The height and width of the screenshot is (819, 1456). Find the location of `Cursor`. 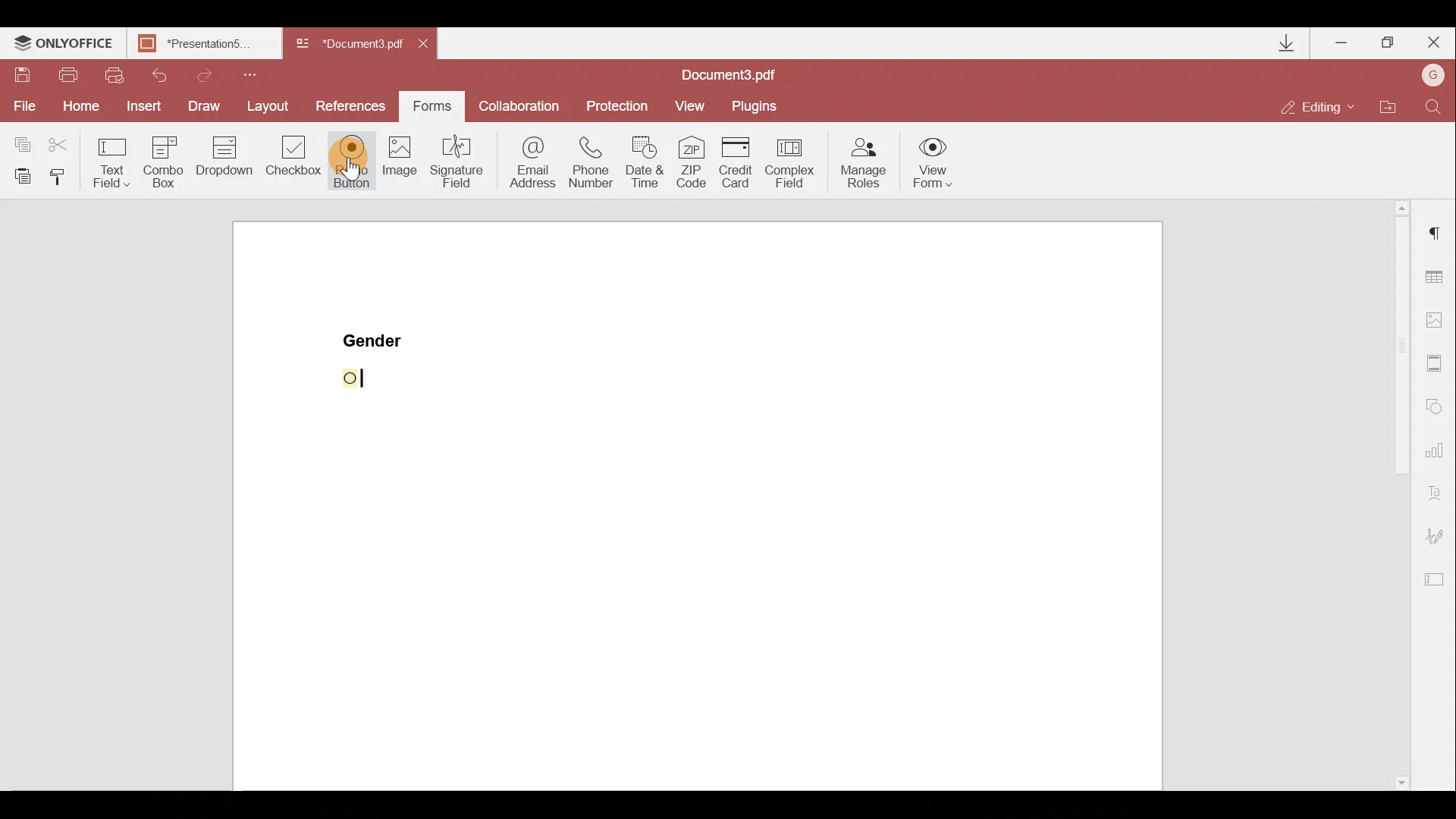

Cursor is located at coordinates (362, 165).